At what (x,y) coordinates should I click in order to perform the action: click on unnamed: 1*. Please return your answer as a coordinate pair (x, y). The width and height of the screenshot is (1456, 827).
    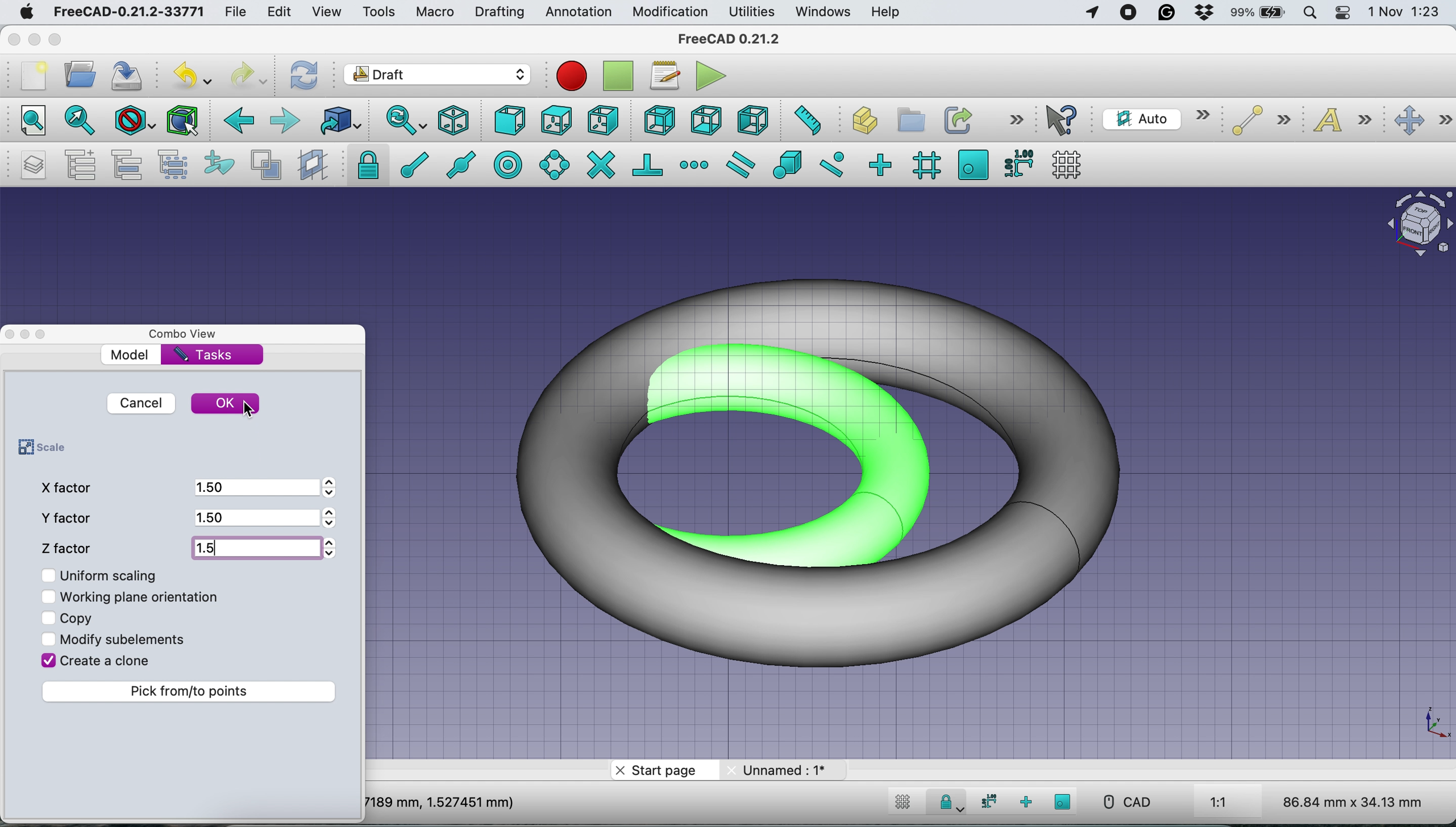
    Looking at the image, I should click on (785, 770).